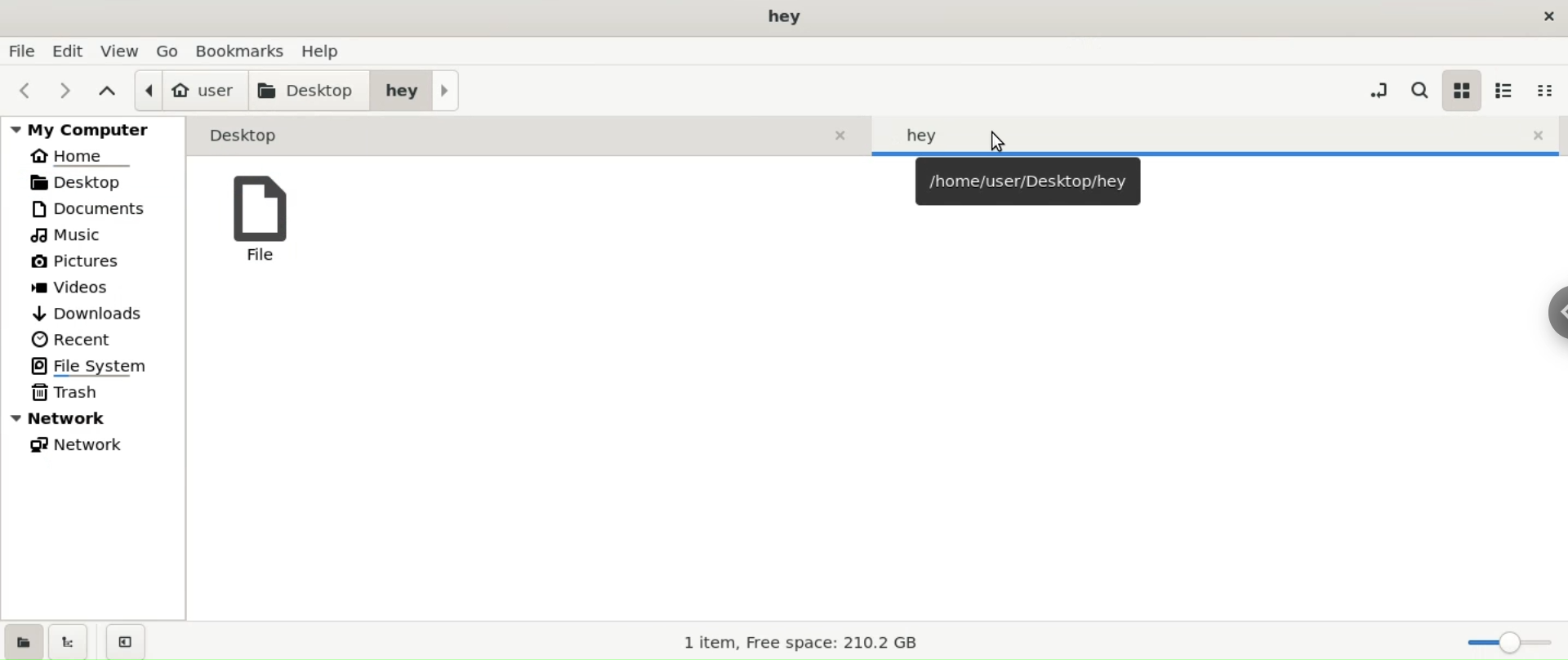 The height and width of the screenshot is (660, 1568). I want to click on view, so click(118, 49).